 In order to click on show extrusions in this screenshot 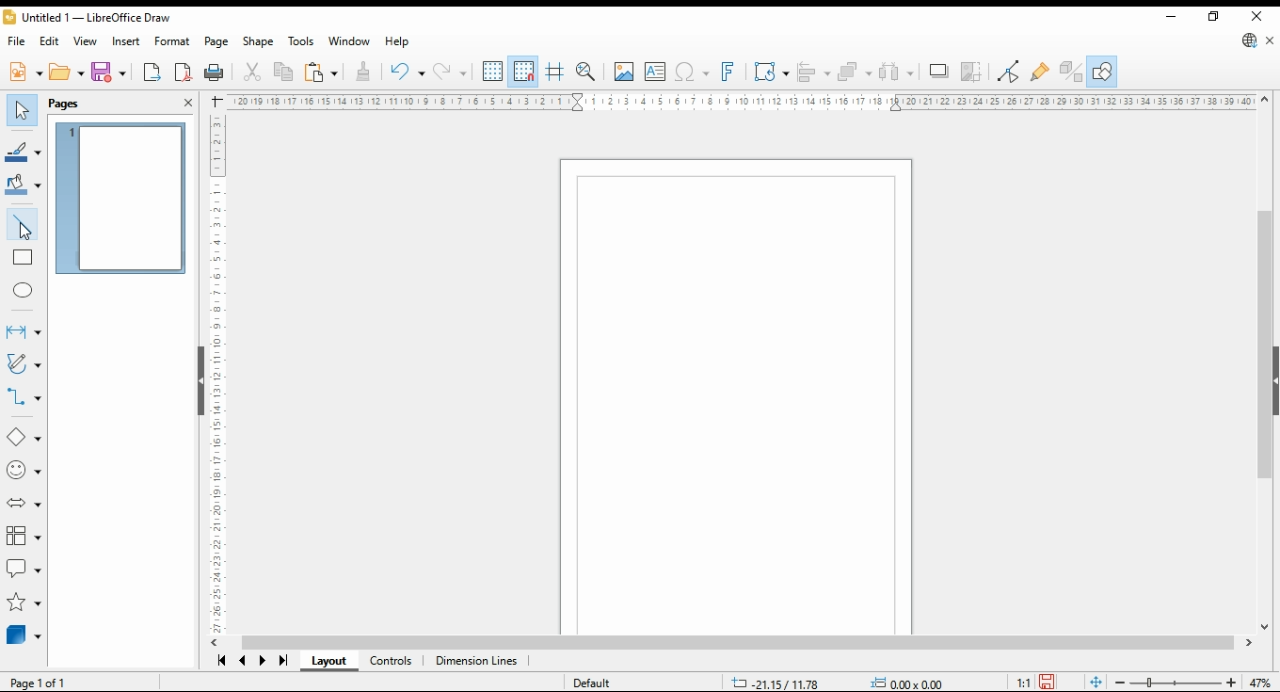, I will do `click(1070, 71)`.